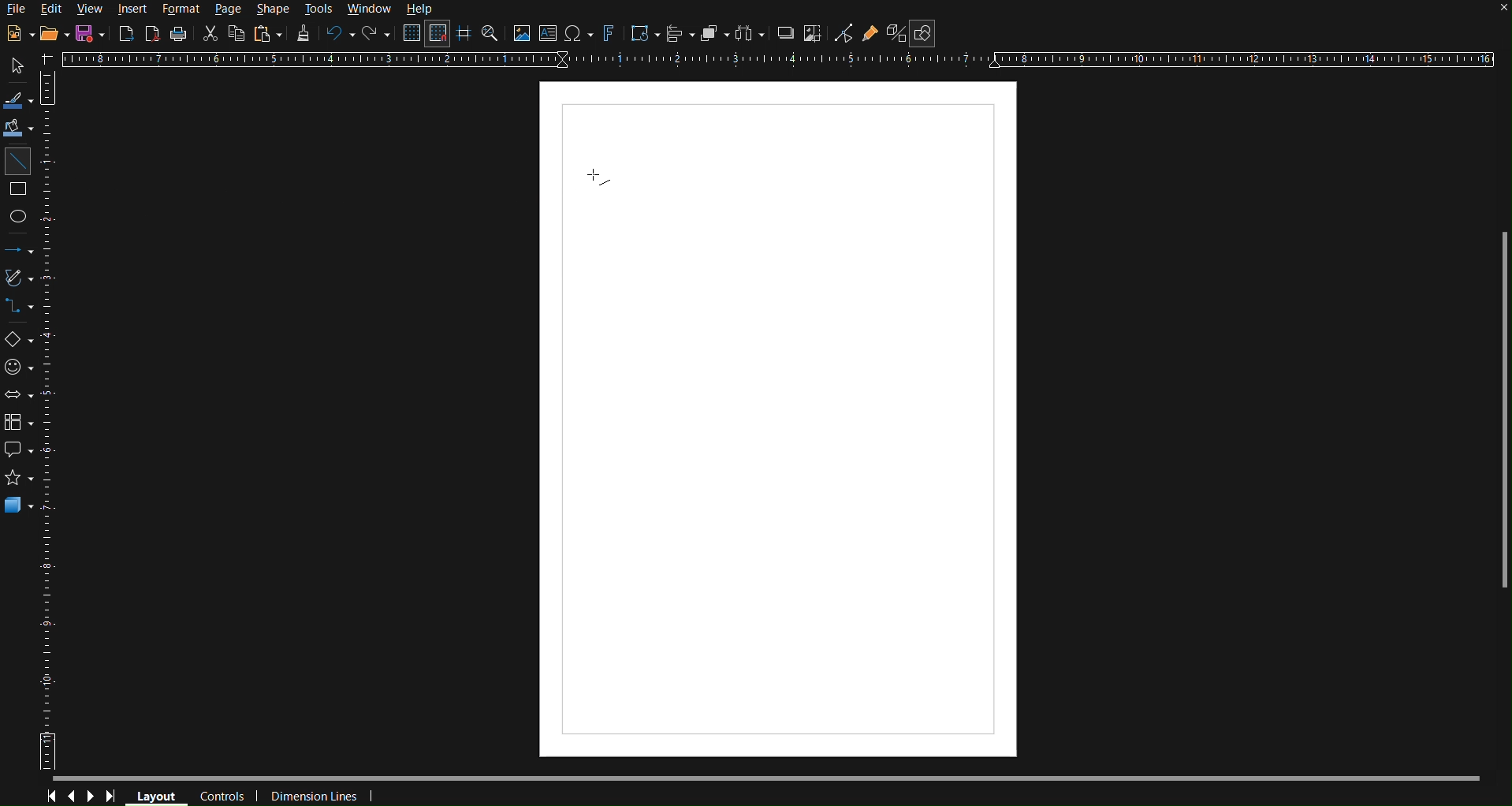 Image resolution: width=1512 pixels, height=806 pixels. Describe the element at coordinates (465, 33) in the screenshot. I see `Guidelines while moving` at that location.